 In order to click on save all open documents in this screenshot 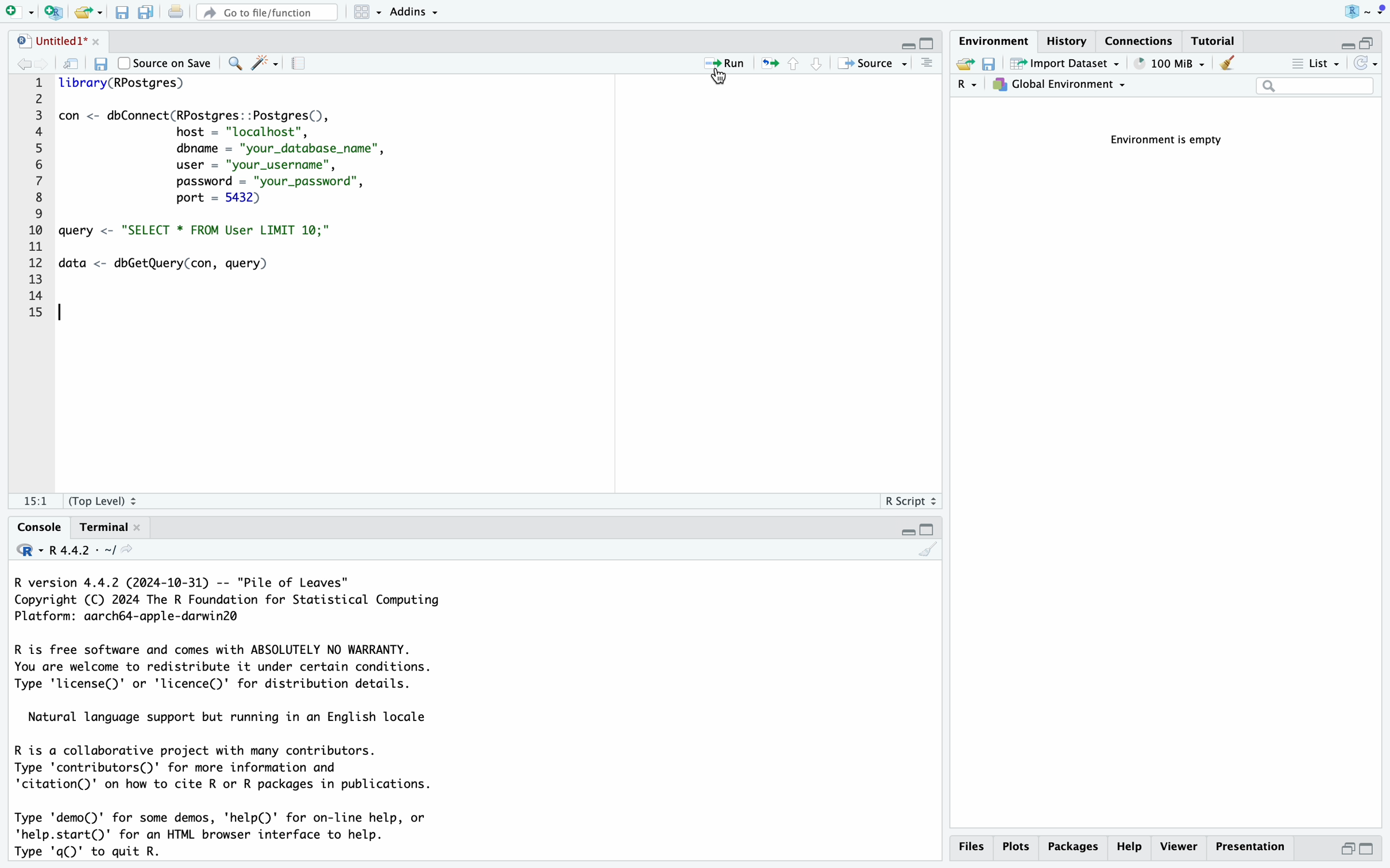, I will do `click(145, 12)`.